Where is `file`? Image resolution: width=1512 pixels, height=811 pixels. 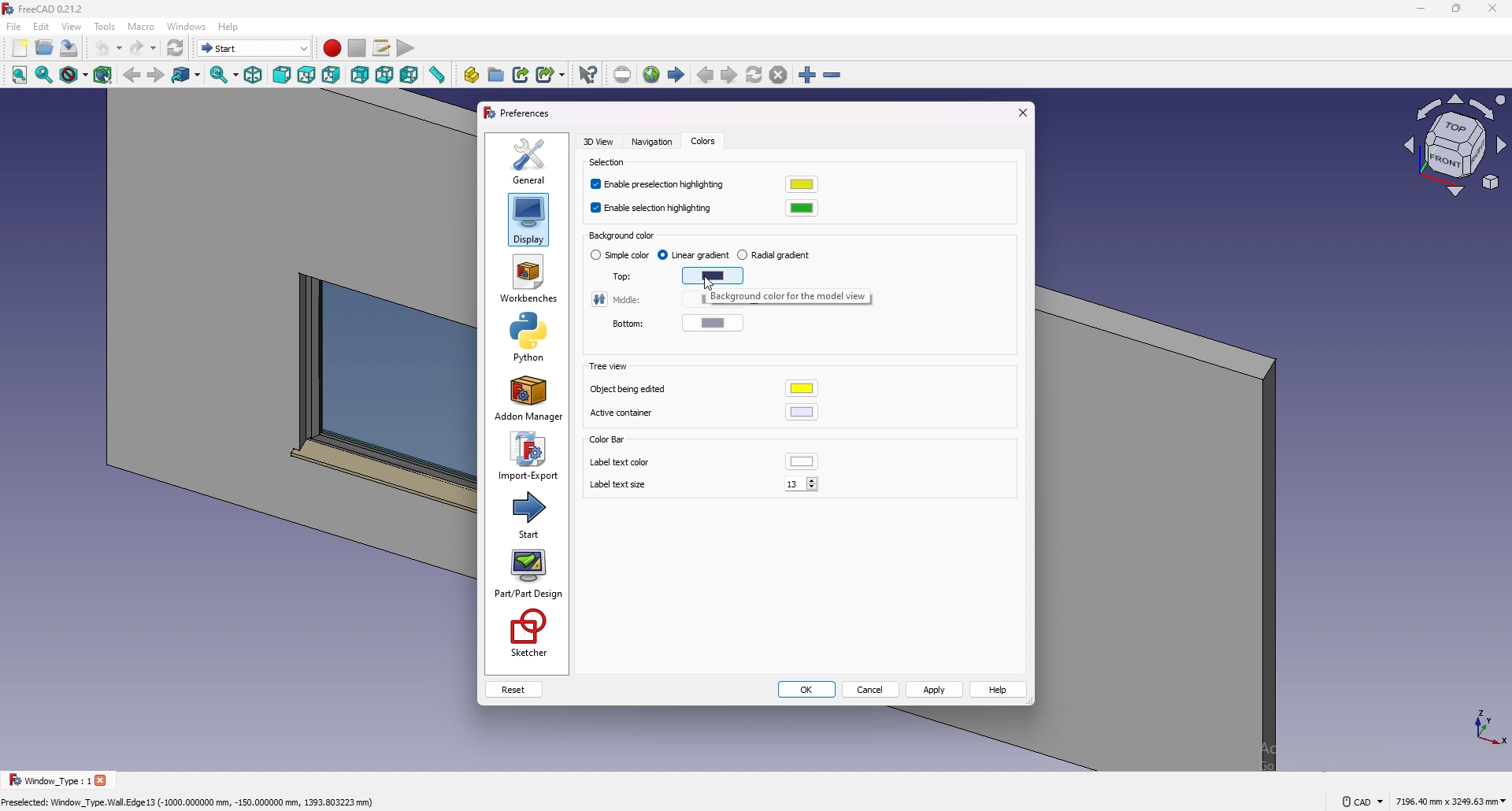 file is located at coordinates (14, 27).